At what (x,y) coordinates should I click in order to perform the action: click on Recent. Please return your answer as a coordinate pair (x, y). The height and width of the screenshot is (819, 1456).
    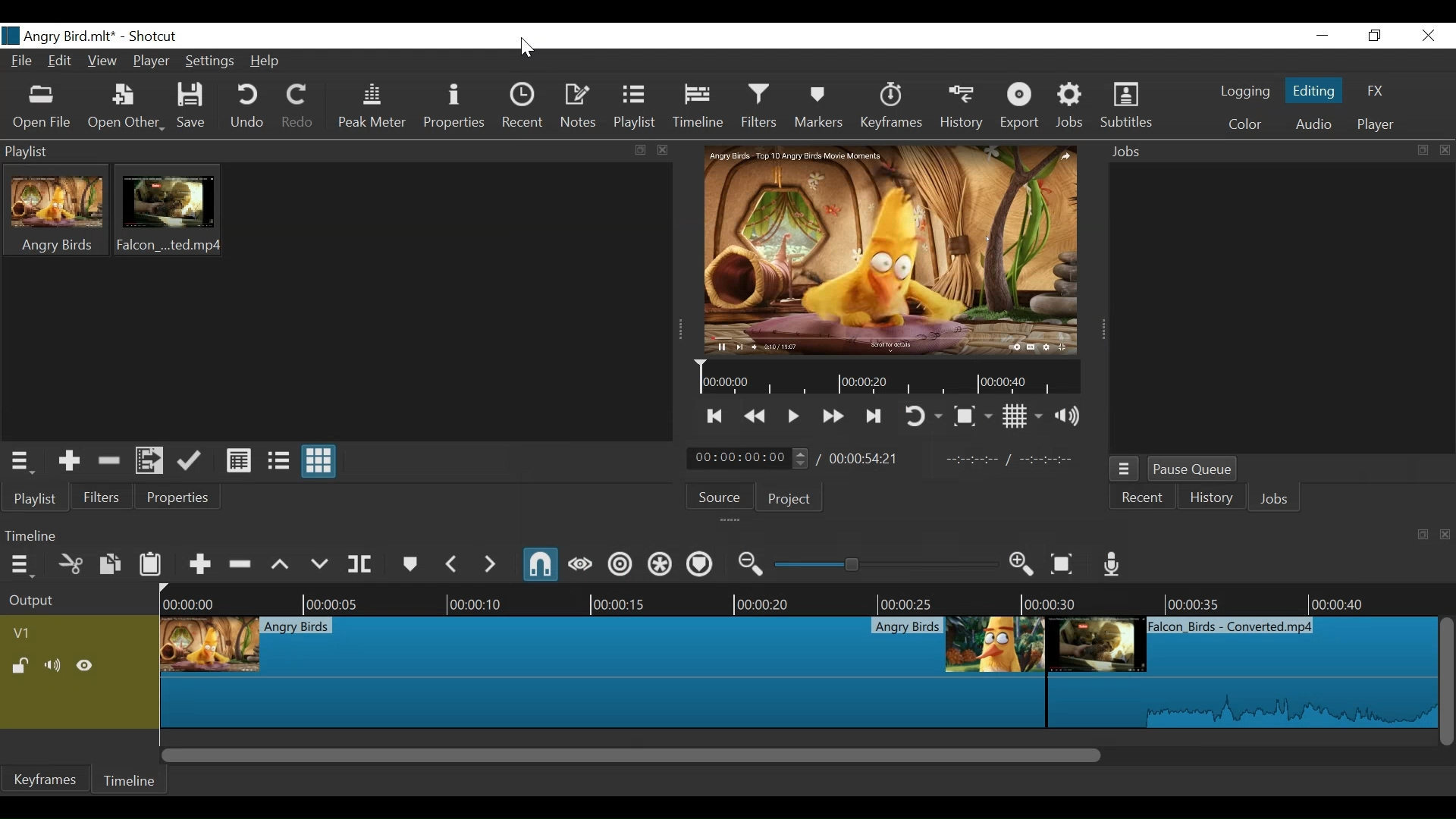
    Looking at the image, I should click on (524, 106).